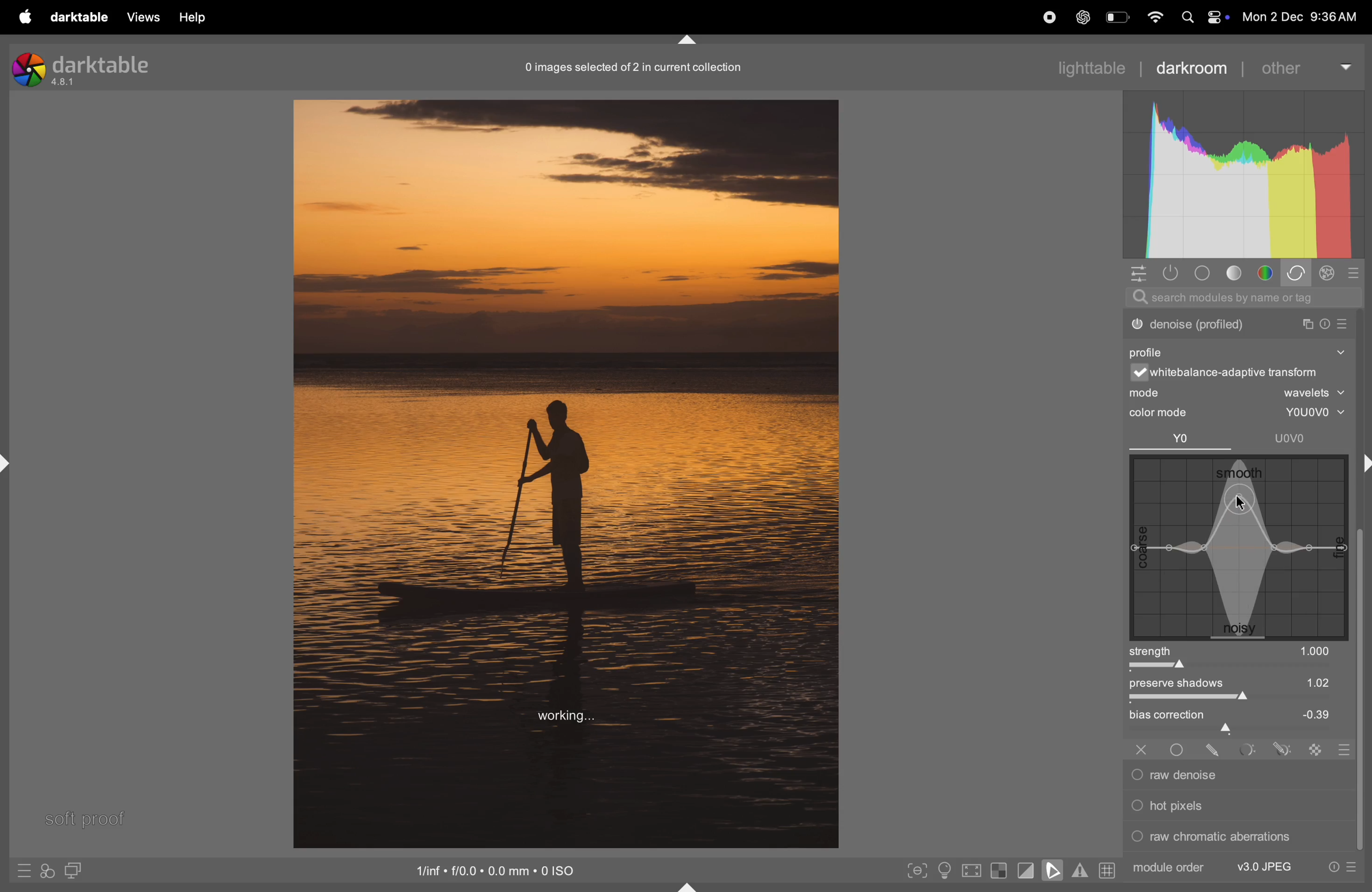 Image resolution: width=1372 pixels, height=892 pixels. I want to click on darktable version, so click(82, 66).